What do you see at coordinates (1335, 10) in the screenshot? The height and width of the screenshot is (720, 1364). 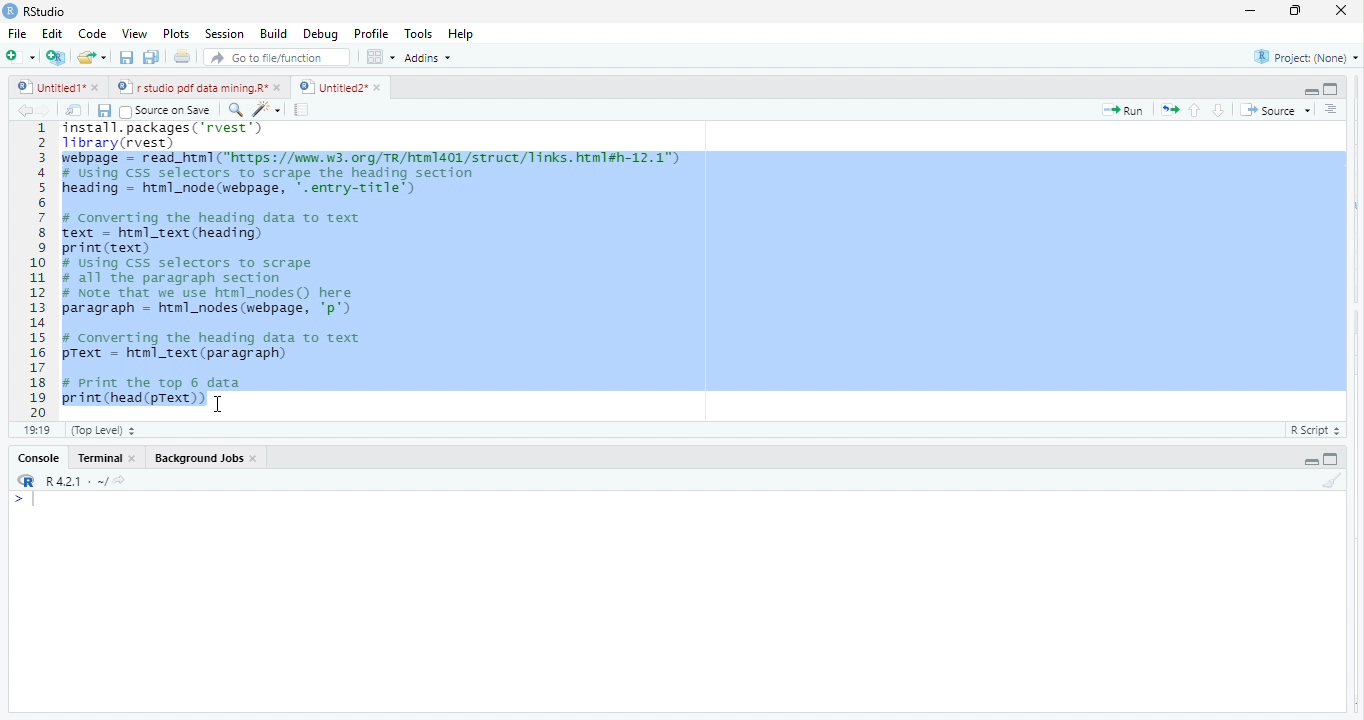 I see `close` at bounding box center [1335, 10].